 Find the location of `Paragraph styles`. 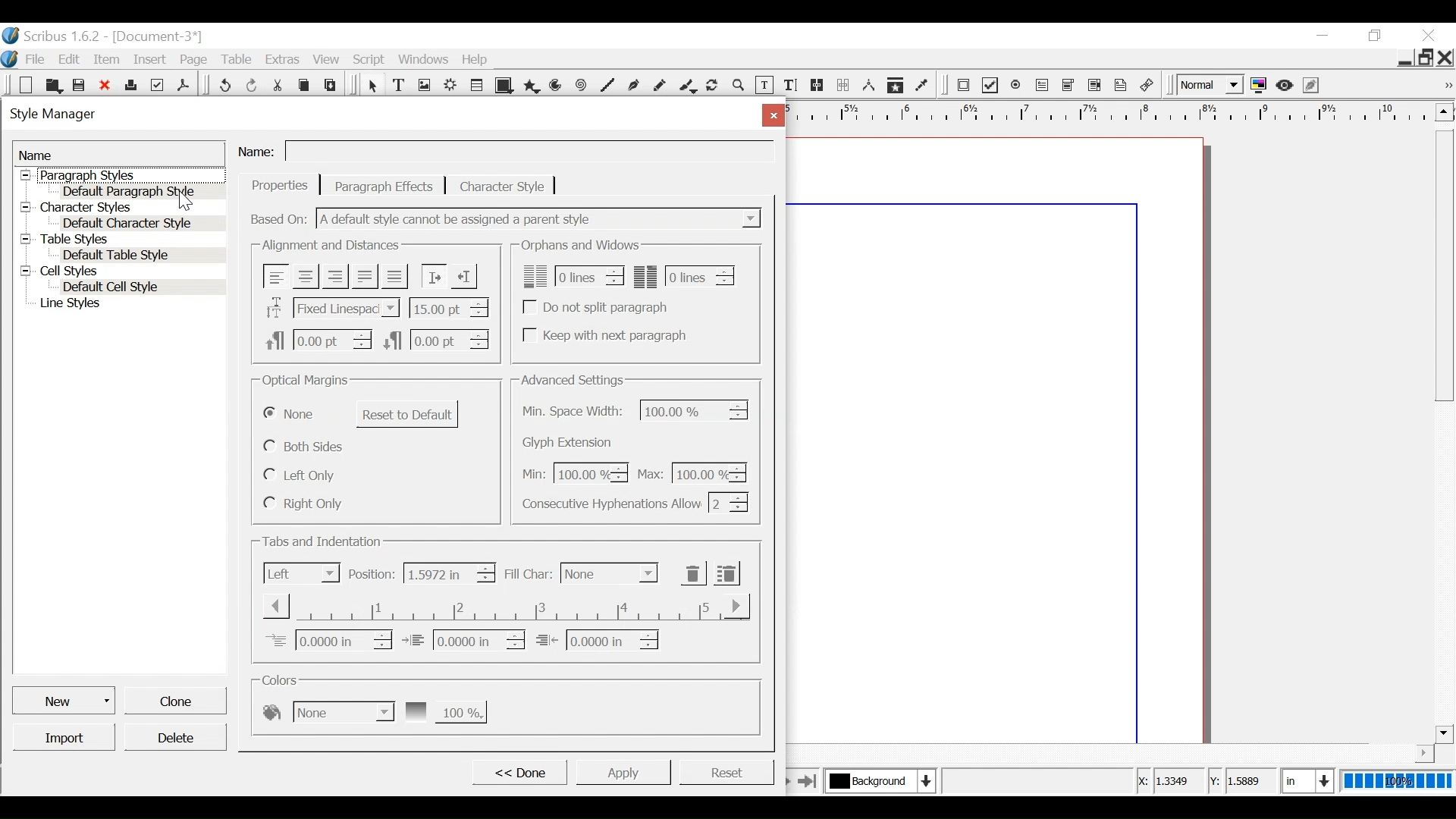

Paragraph styles is located at coordinates (121, 175).